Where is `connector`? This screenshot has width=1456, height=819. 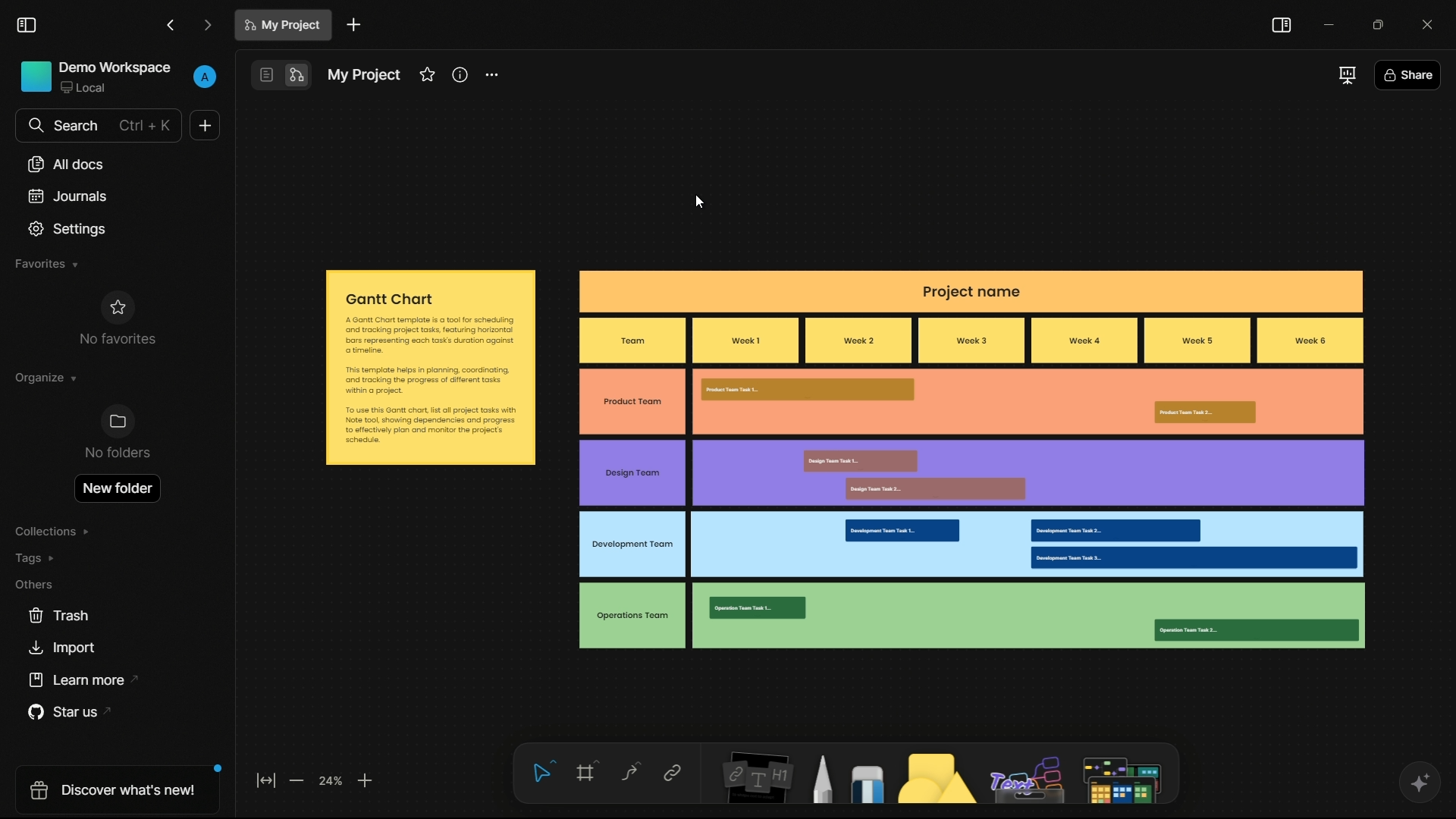
connector is located at coordinates (629, 773).